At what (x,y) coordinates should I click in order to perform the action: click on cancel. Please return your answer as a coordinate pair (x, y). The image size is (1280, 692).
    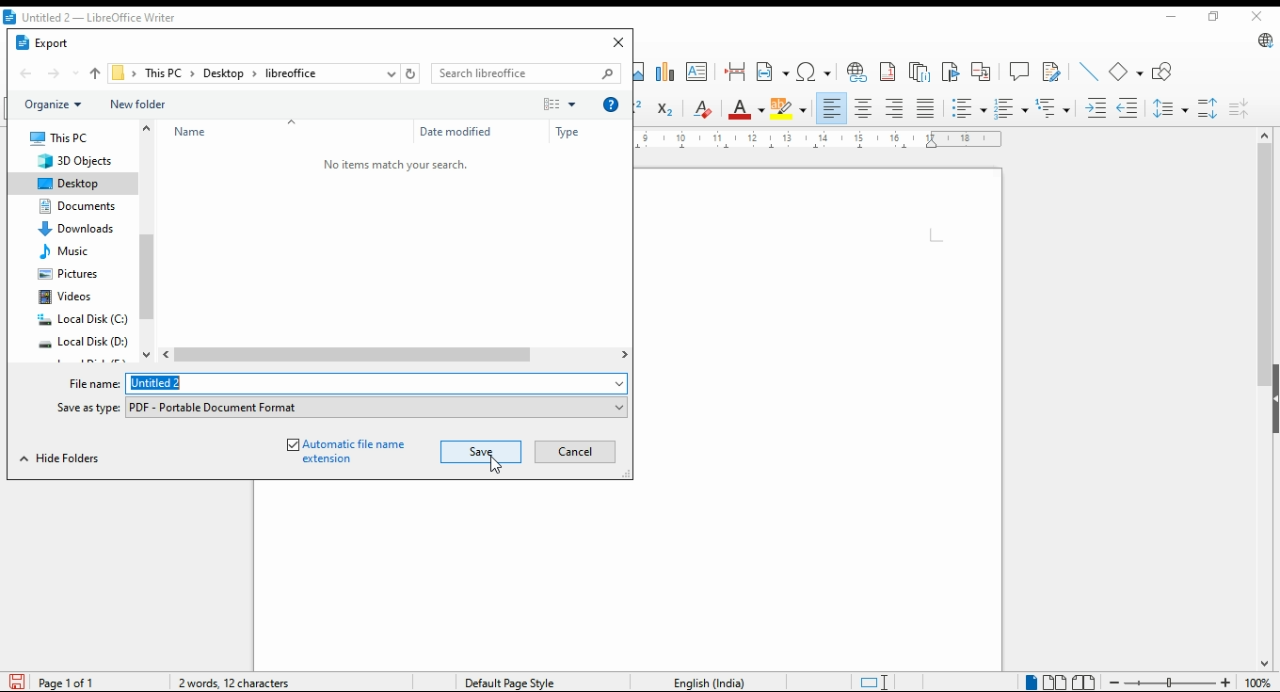
    Looking at the image, I should click on (574, 451).